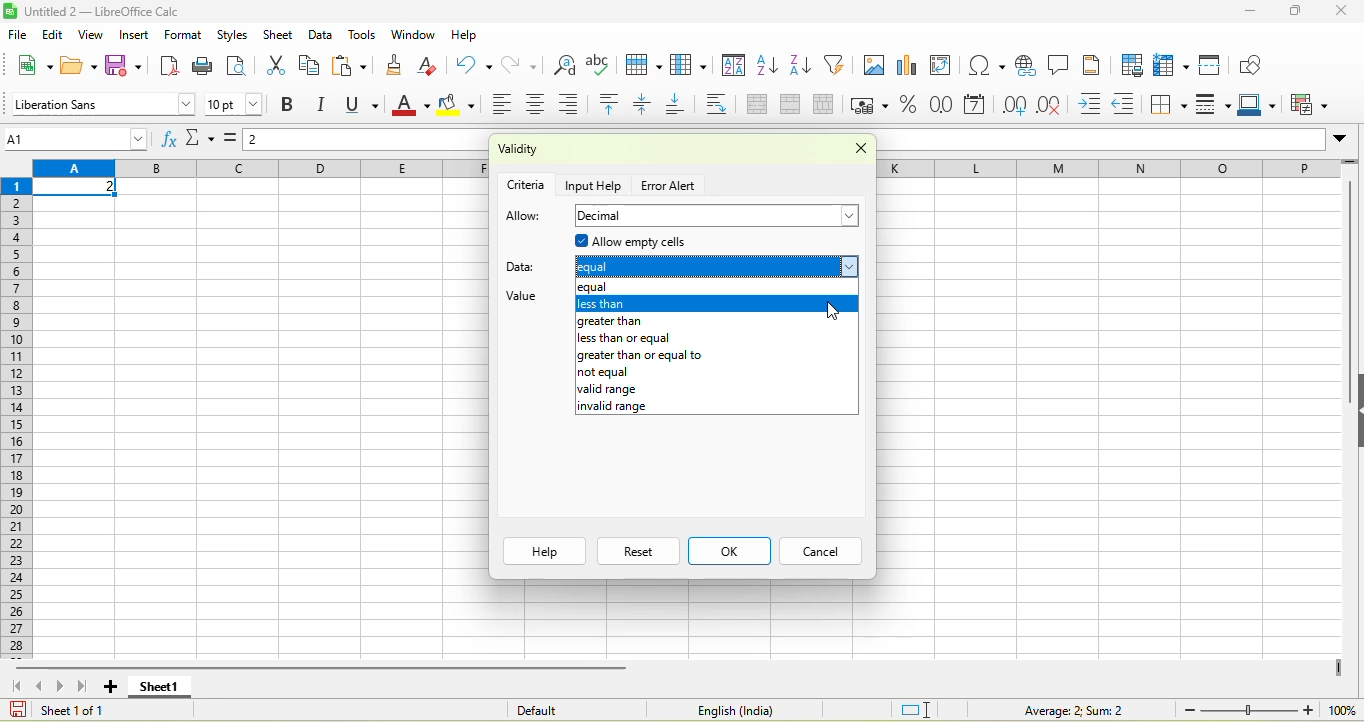 Image resolution: width=1364 pixels, height=722 pixels. Describe the element at coordinates (796, 106) in the screenshot. I see `merge` at that location.